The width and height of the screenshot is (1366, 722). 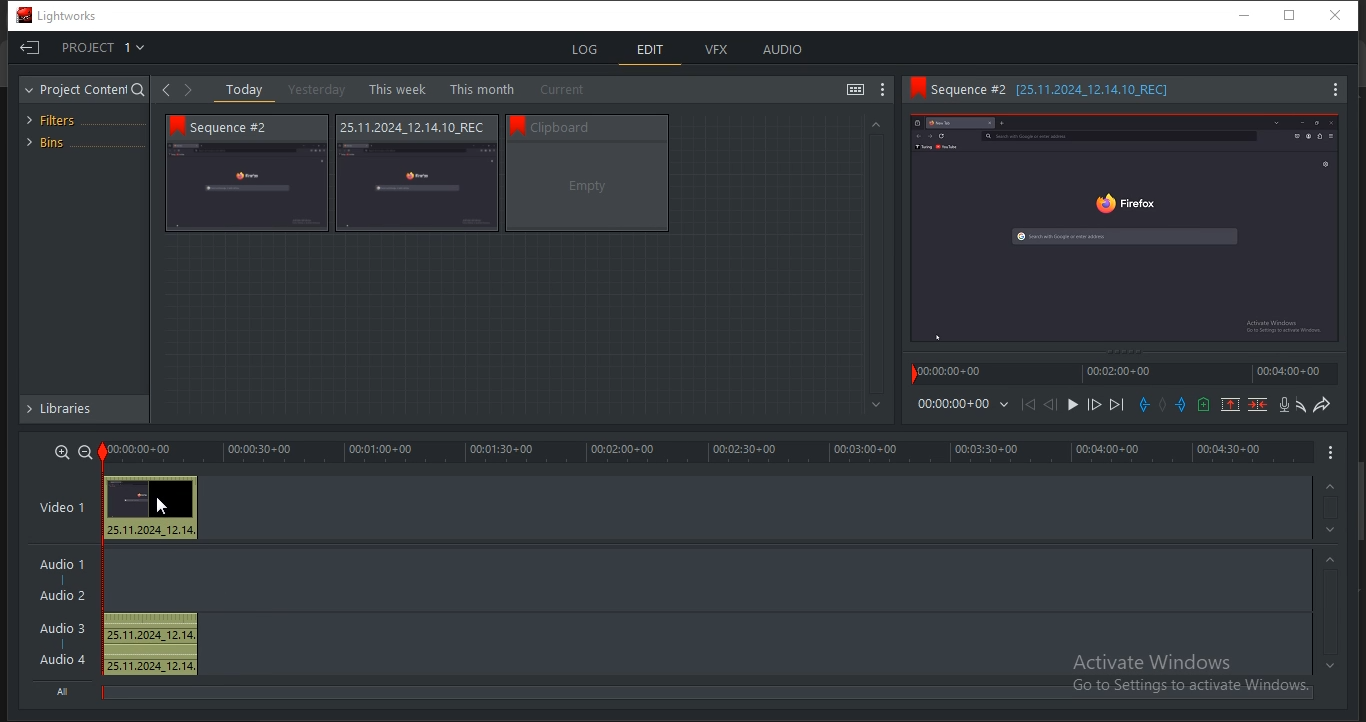 I want to click on Audio 2, so click(x=62, y=597).